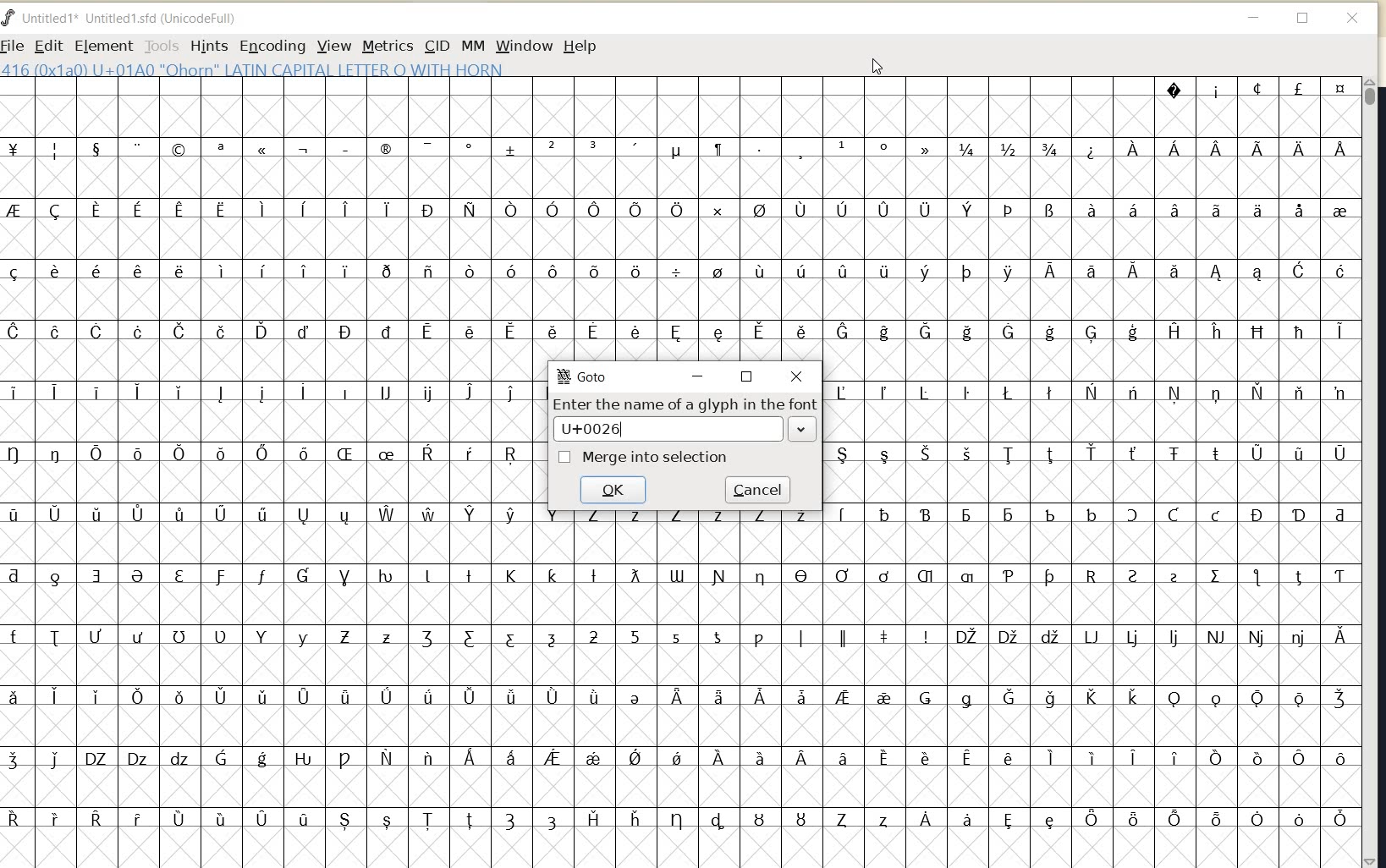 The image size is (1386, 868). I want to click on fontforge logo, so click(8, 20).